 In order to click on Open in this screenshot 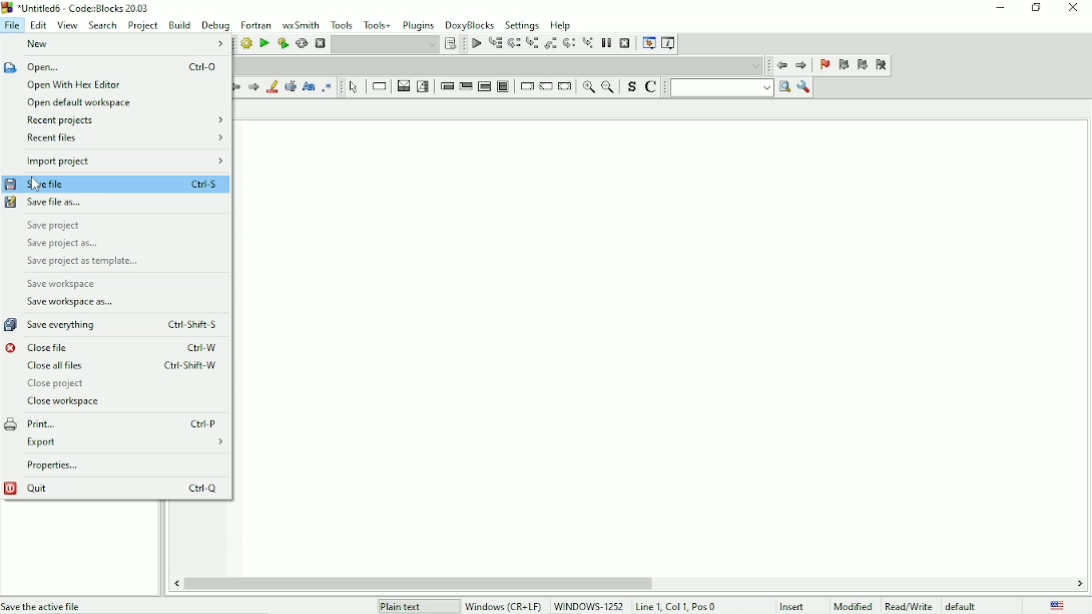, I will do `click(112, 67)`.